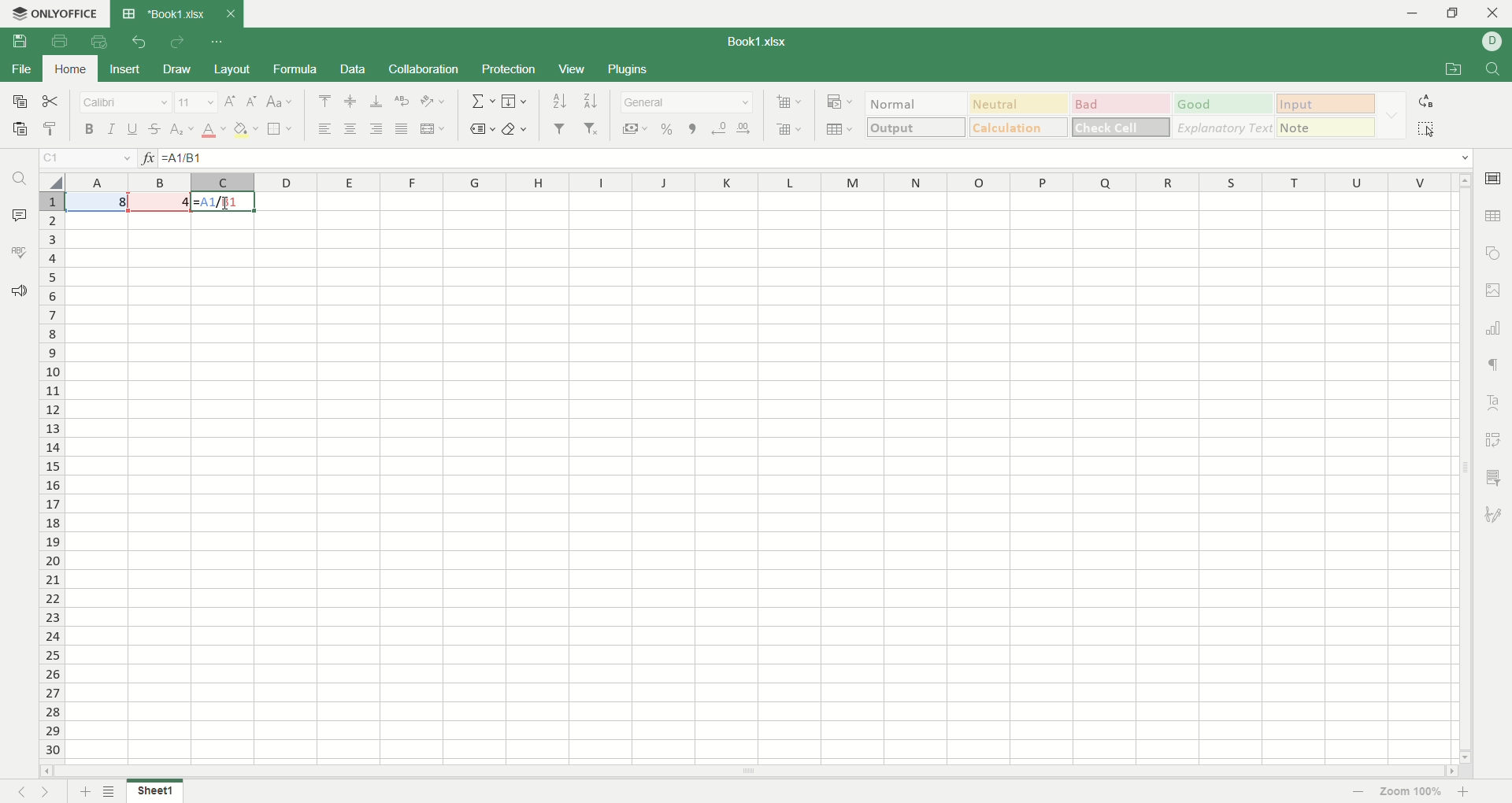 The image size is (1512, 803). I want to click on close, so click(1494, 13).